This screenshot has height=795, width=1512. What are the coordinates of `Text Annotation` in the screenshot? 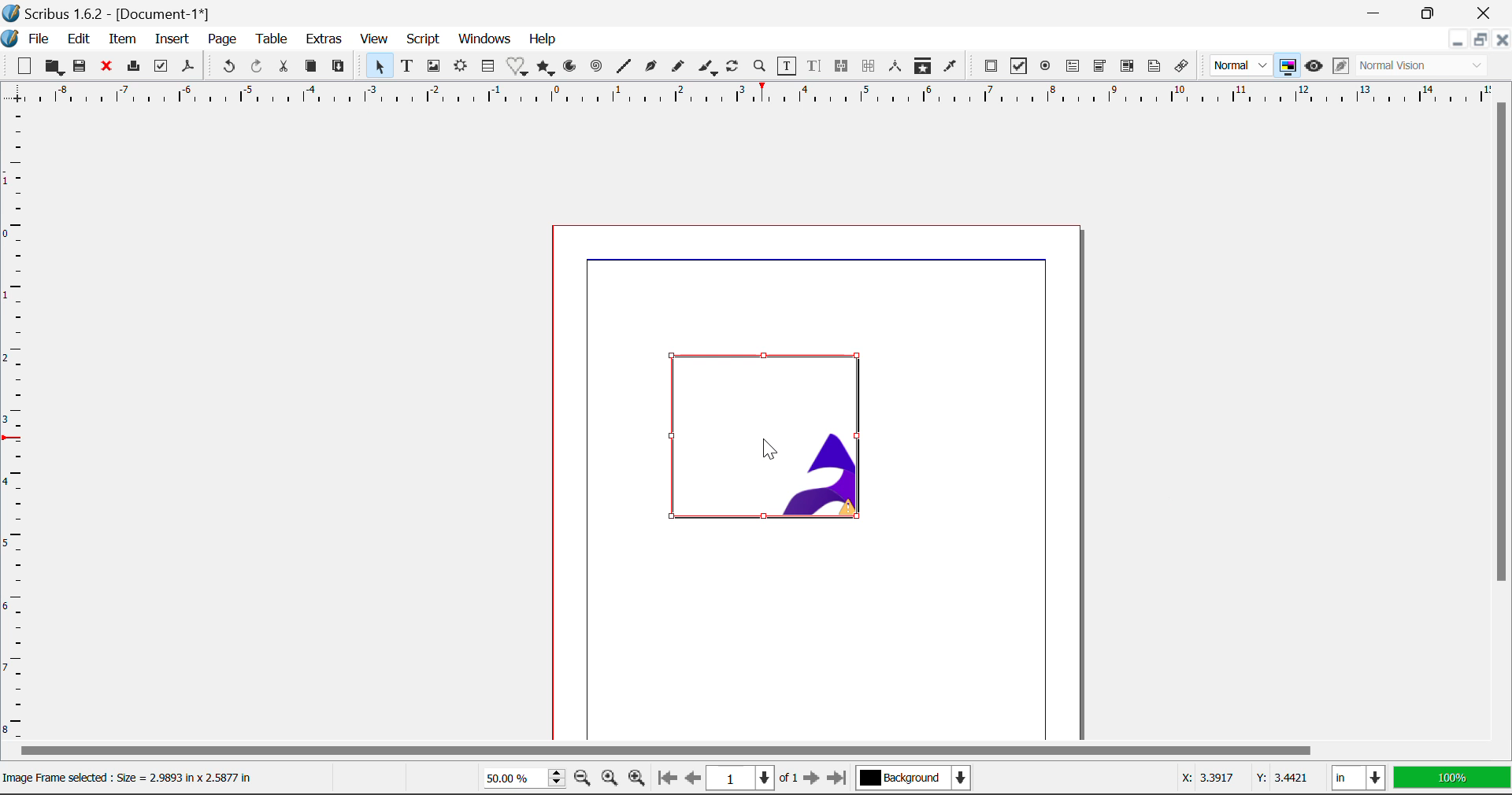 It's located at (1153, 68).